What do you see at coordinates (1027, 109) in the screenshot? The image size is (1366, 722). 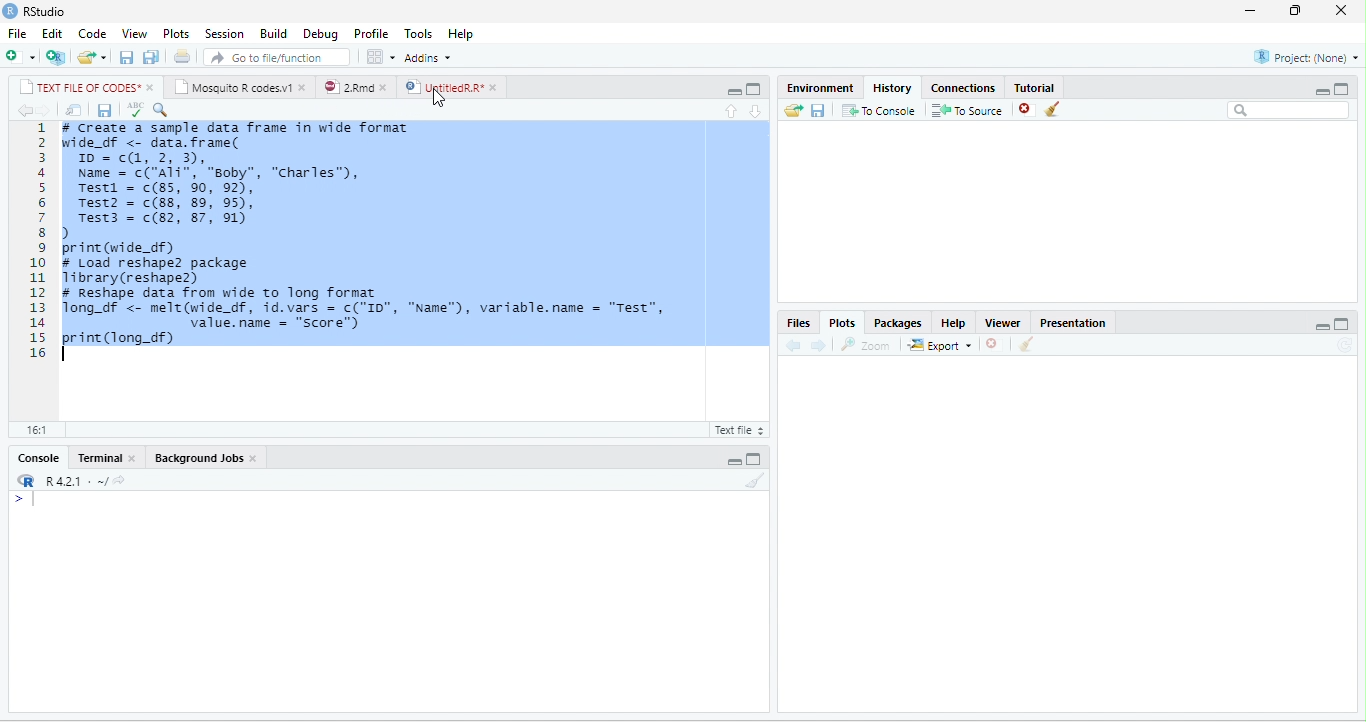 I see `close file` at bounding box center [1027, 109].